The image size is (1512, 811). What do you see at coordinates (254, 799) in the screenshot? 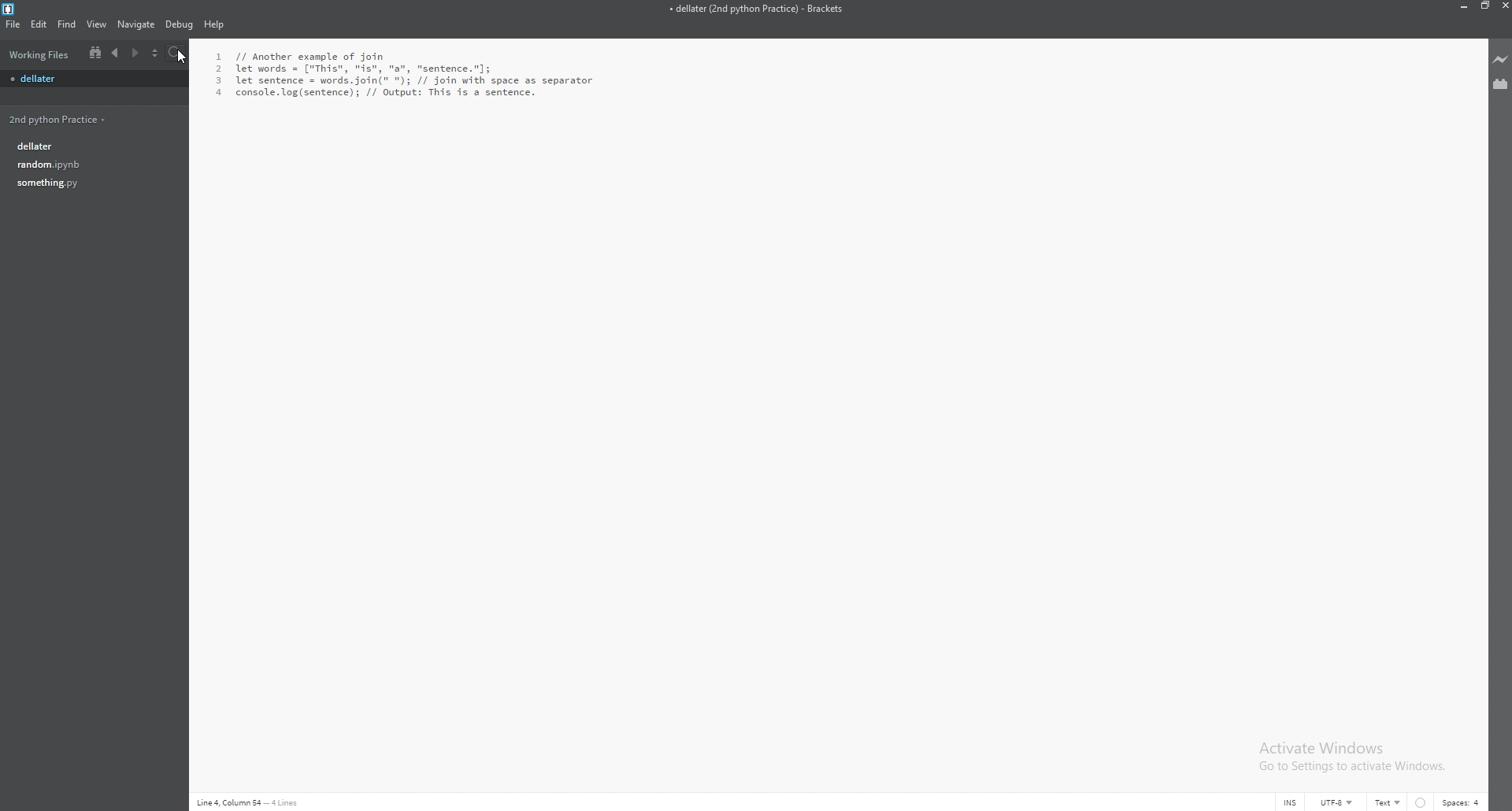
I see `Line 4,Colum 54- 4lines` at bounding box center [254, 799].